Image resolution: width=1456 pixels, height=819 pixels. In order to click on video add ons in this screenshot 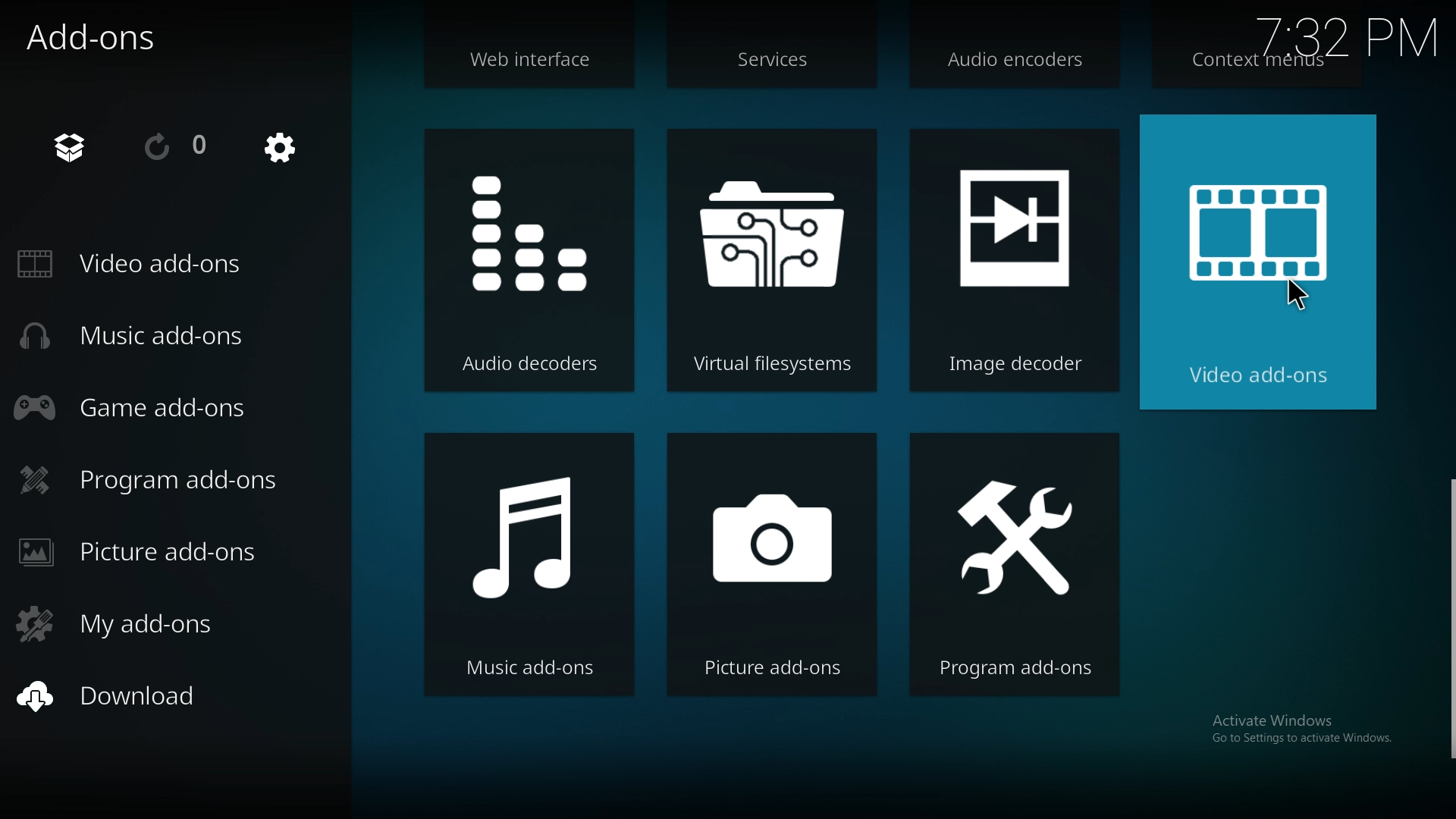, I will do `click(140, 265)`.